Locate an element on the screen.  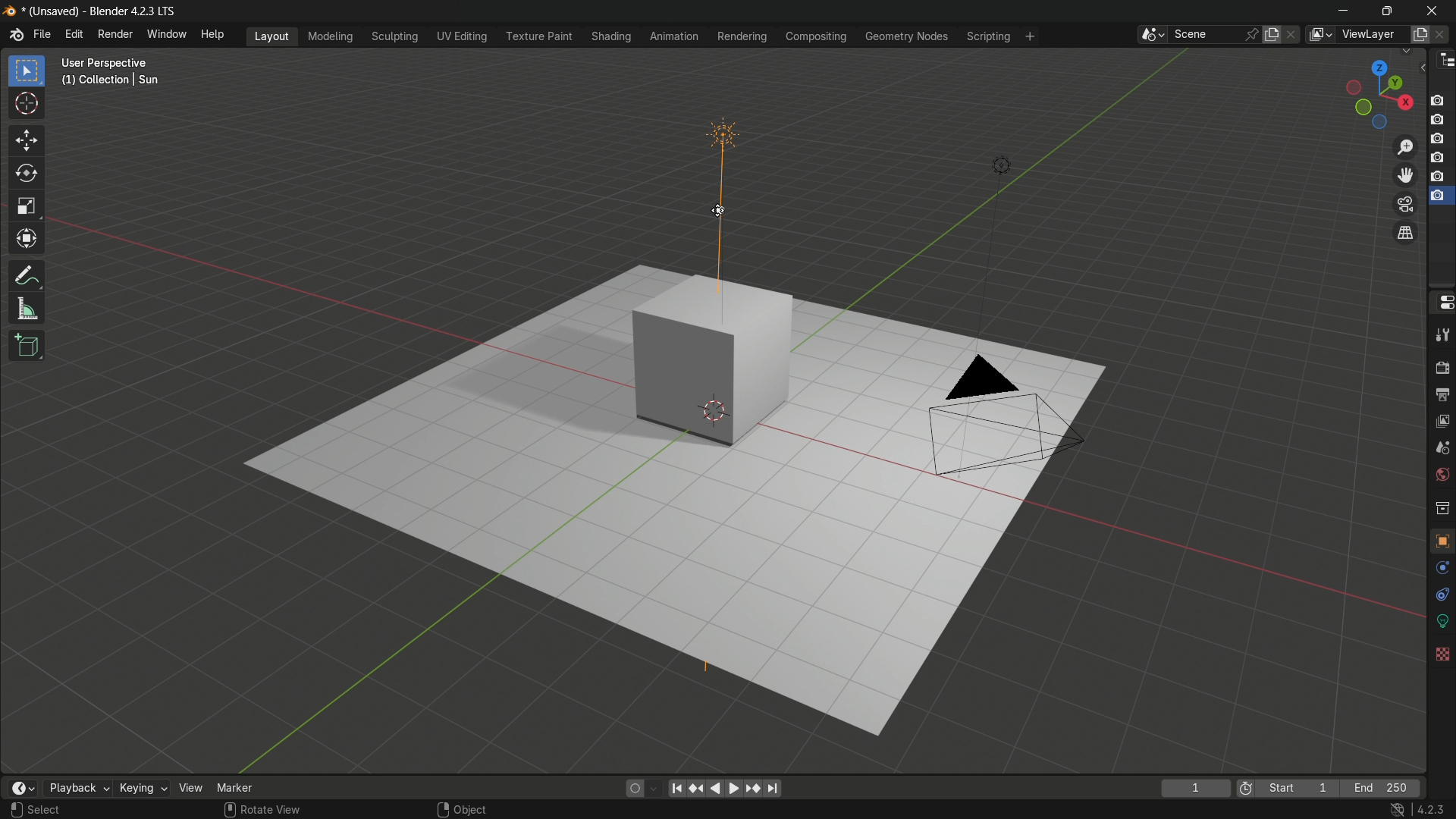
auto keyframing is located at coordinates (654, 789).